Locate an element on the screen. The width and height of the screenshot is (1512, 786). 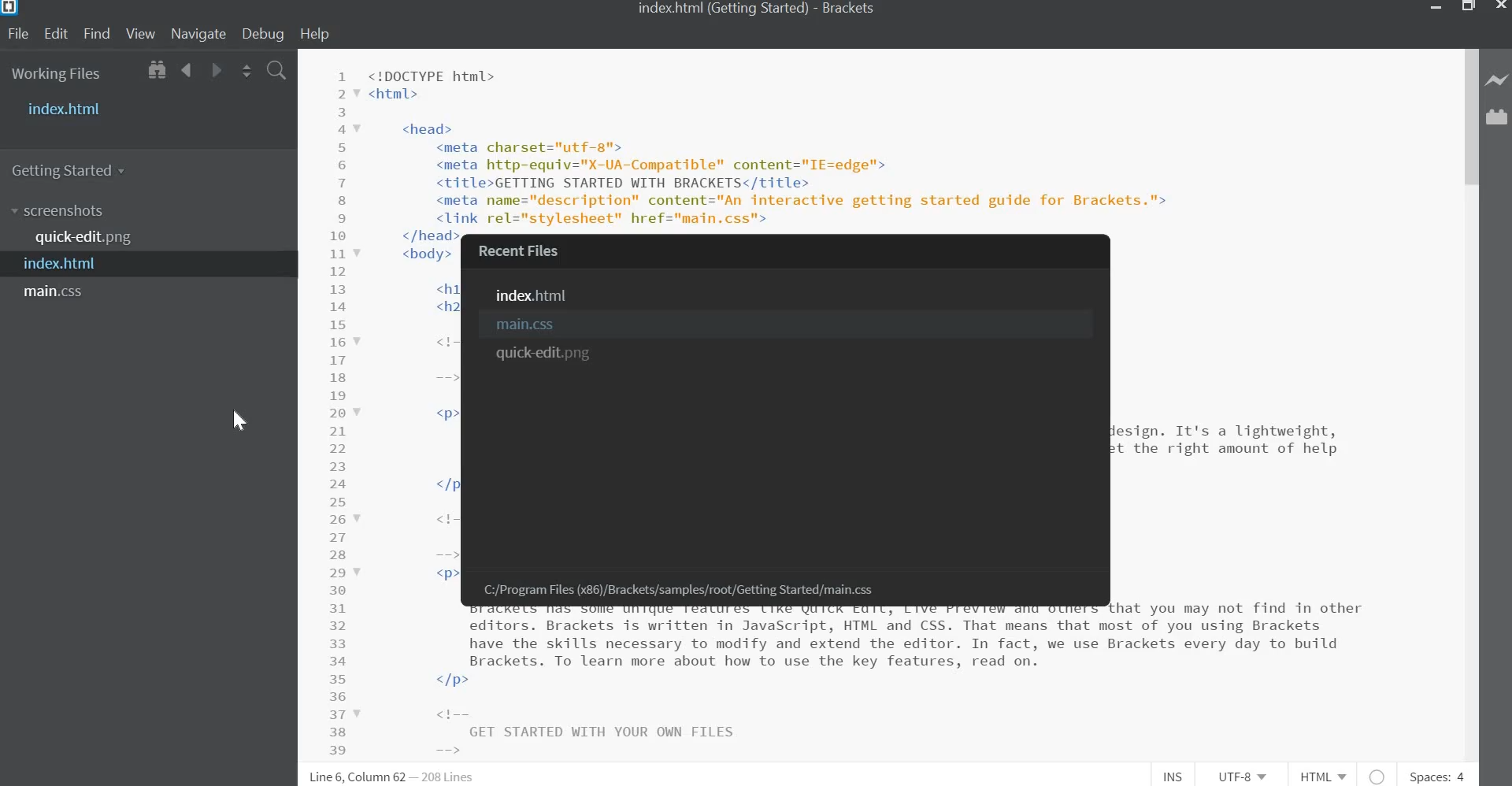
Show in File Tree is located at coordinates (155, 72).